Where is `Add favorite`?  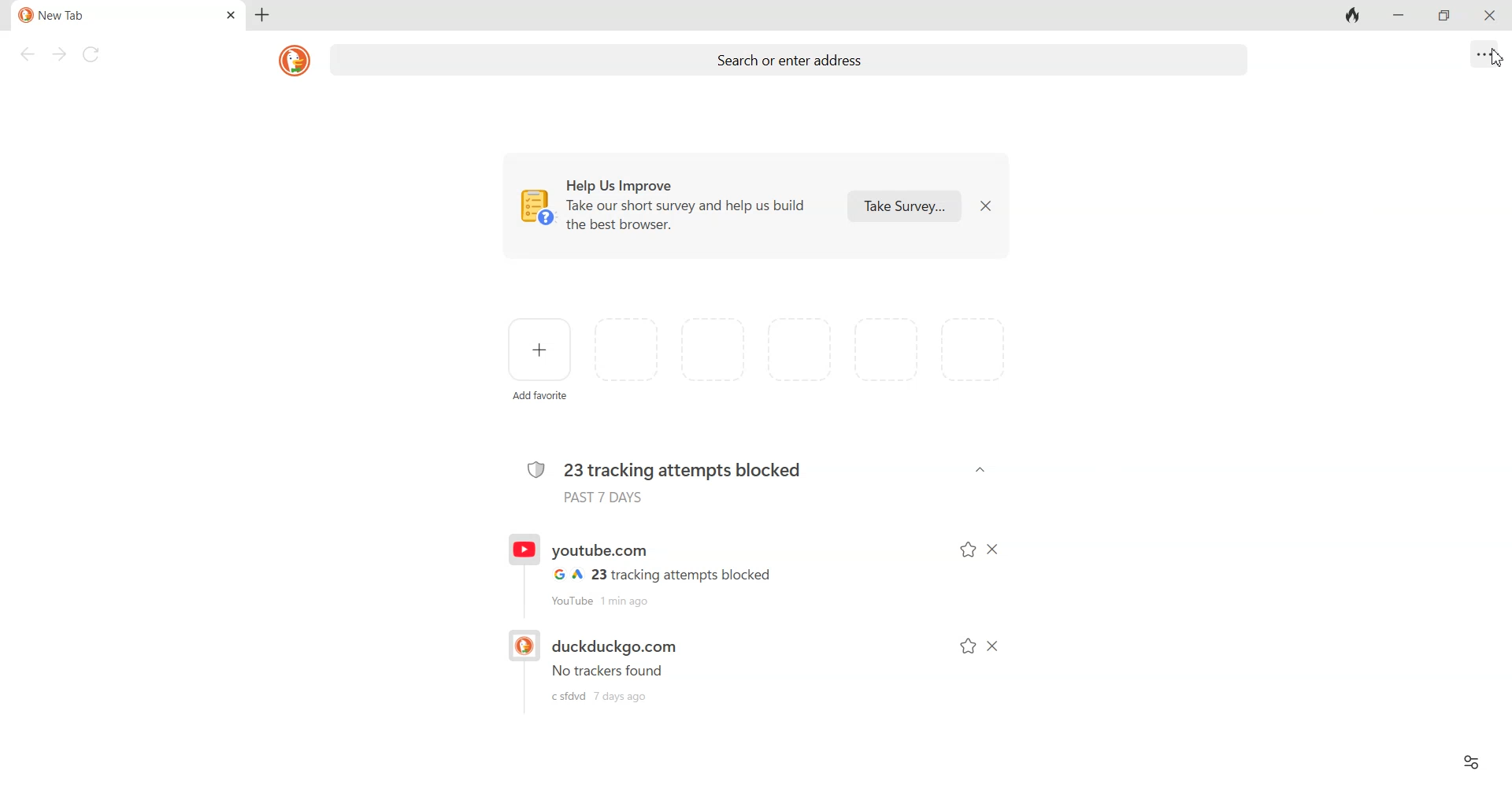
Add favorite is located at coordinates (541, 349).